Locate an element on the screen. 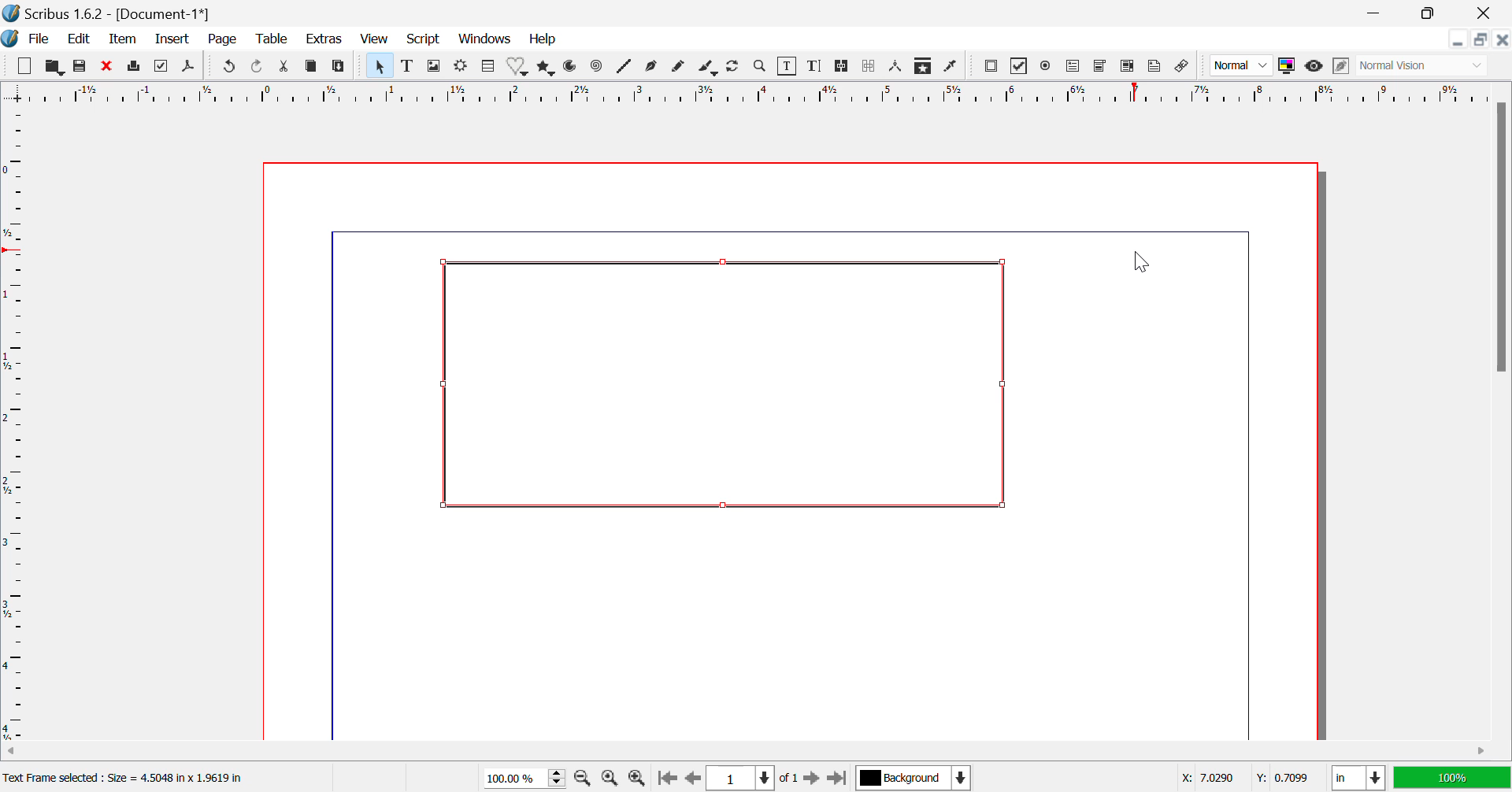  Freehand Line is located at coordinates (679, 69).